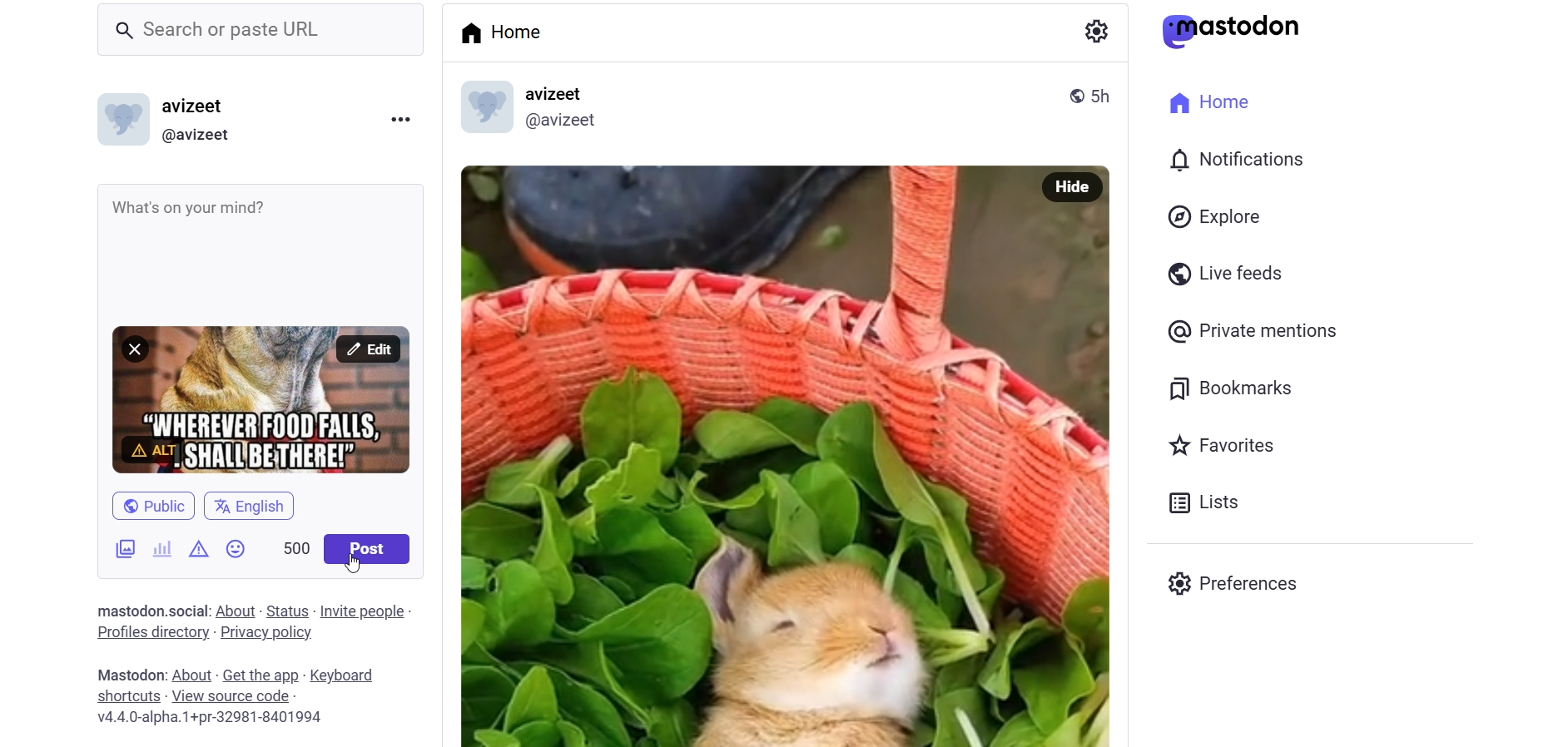  What do you see at coordinates (345, 675) in the screenshot?
I see `keyboard` at bounding box center [345, 675].